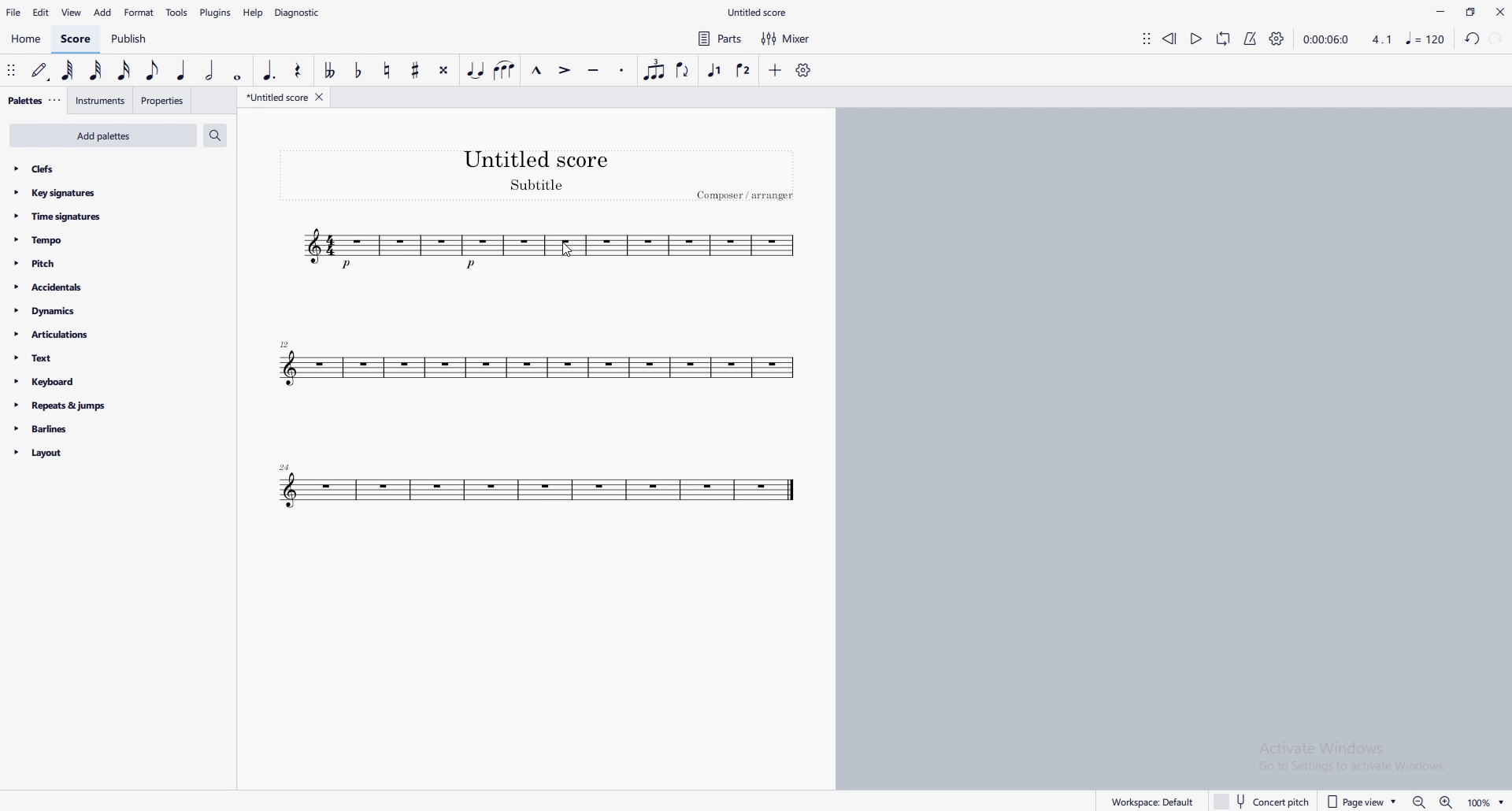  I want to click on key signatures, so click(102, 192).